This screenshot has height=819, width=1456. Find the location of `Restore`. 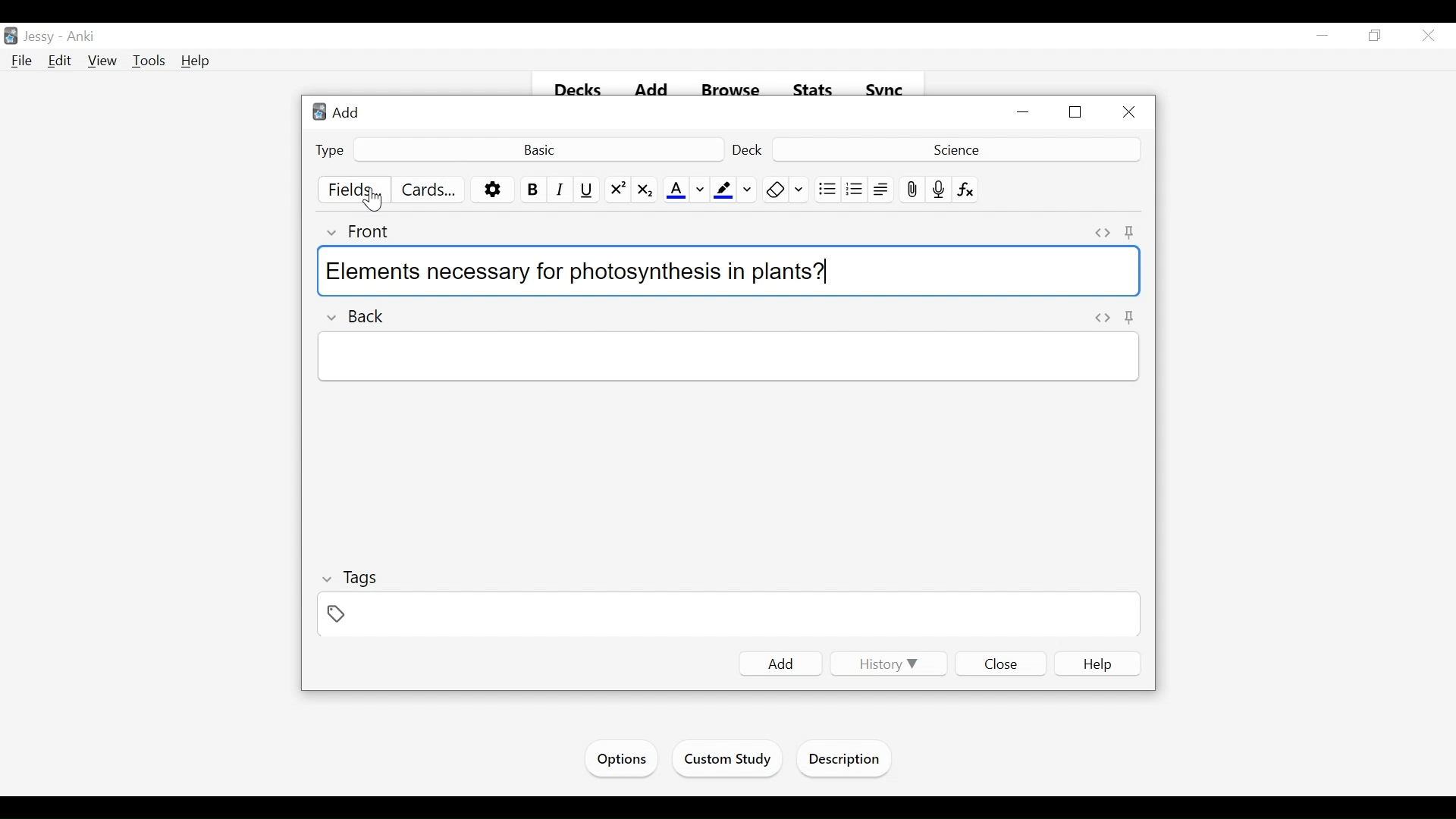

Restore is located at coordinates (1077, 113).